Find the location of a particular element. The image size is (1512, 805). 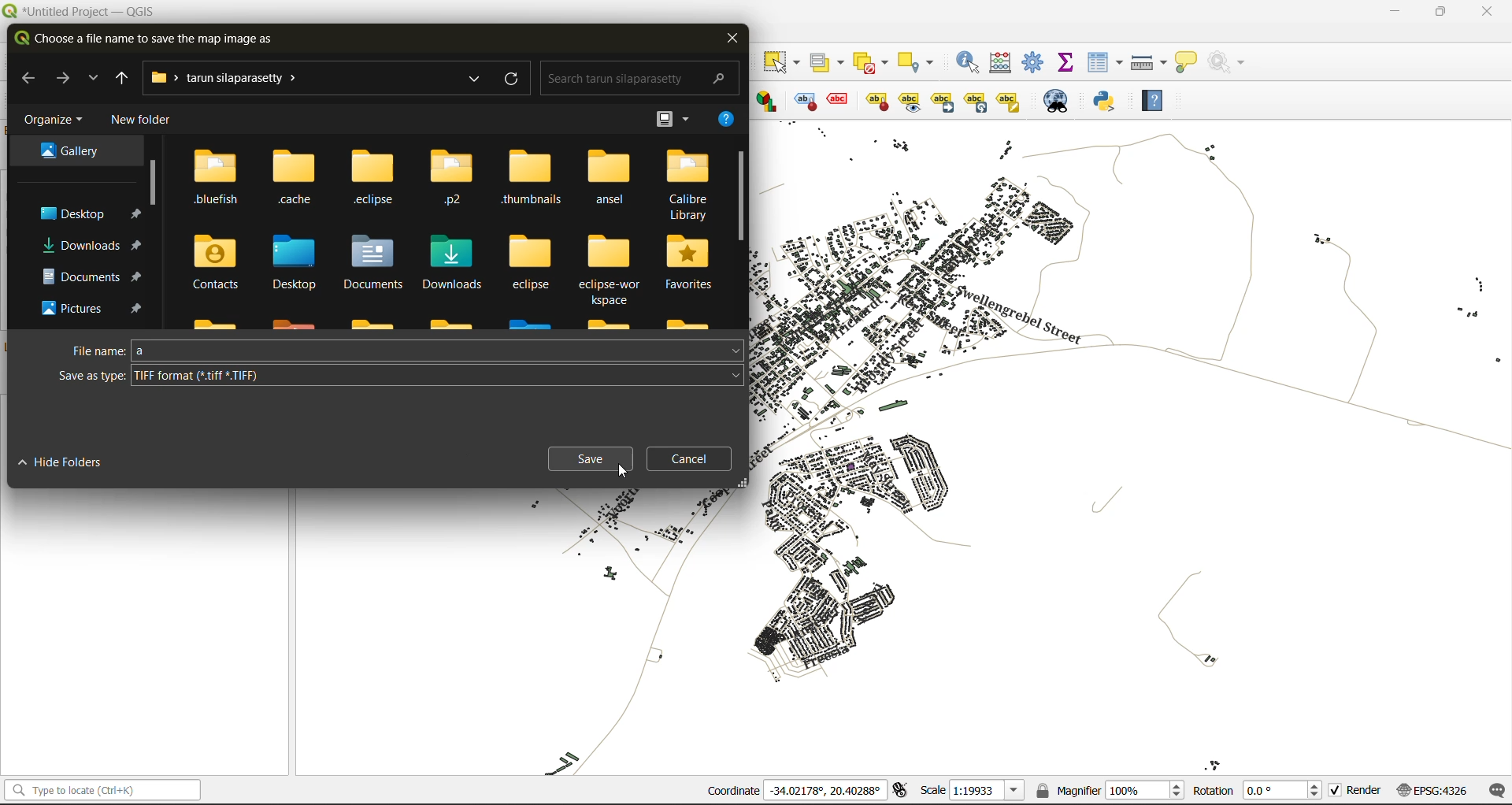

cursor is located at coordinates (623, 473).